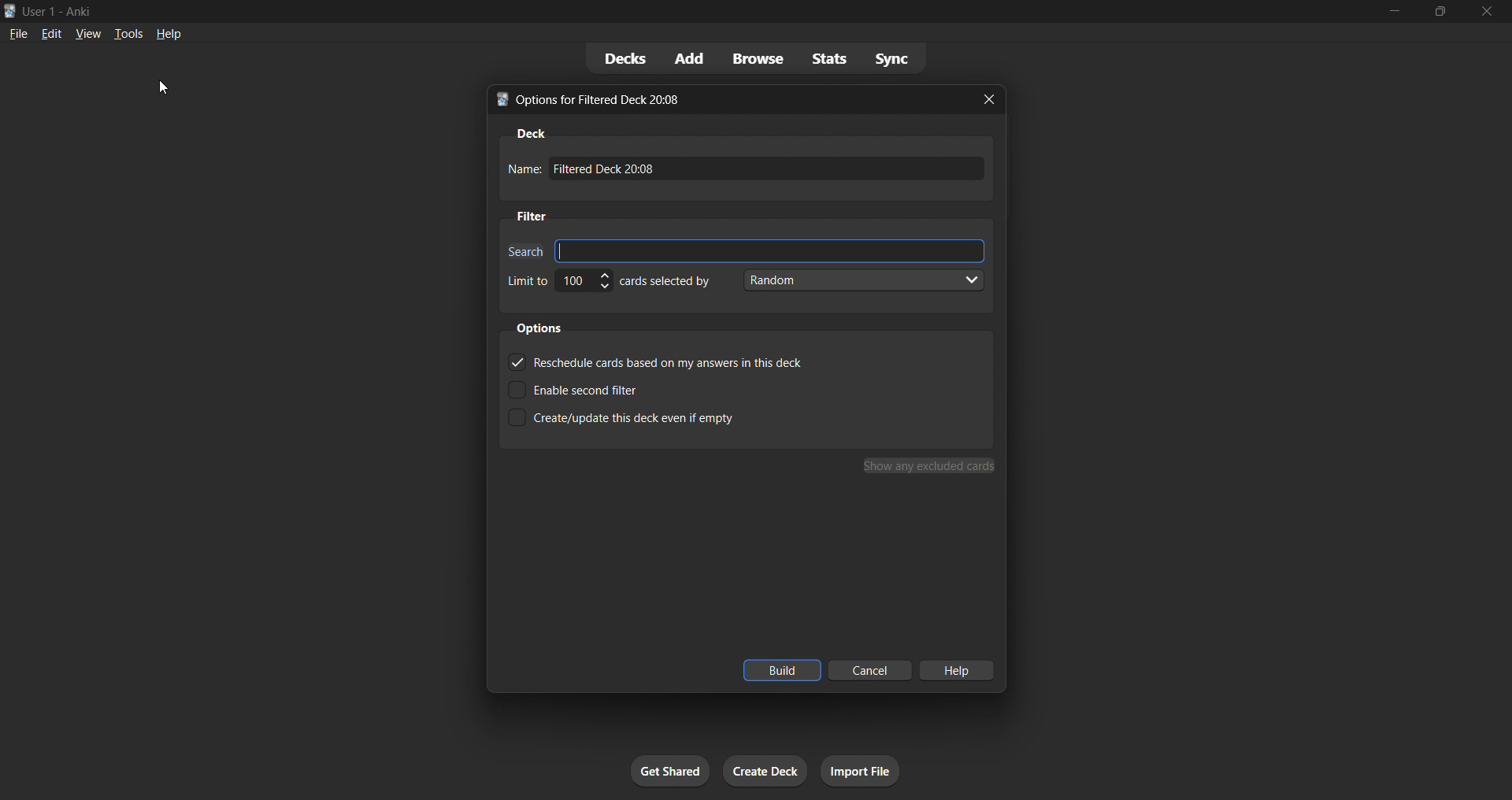 Image resolution: width=1512 pixels, height=800 pixels. I want to click on (un)check reschedule cards radio option, so click(679, 364).